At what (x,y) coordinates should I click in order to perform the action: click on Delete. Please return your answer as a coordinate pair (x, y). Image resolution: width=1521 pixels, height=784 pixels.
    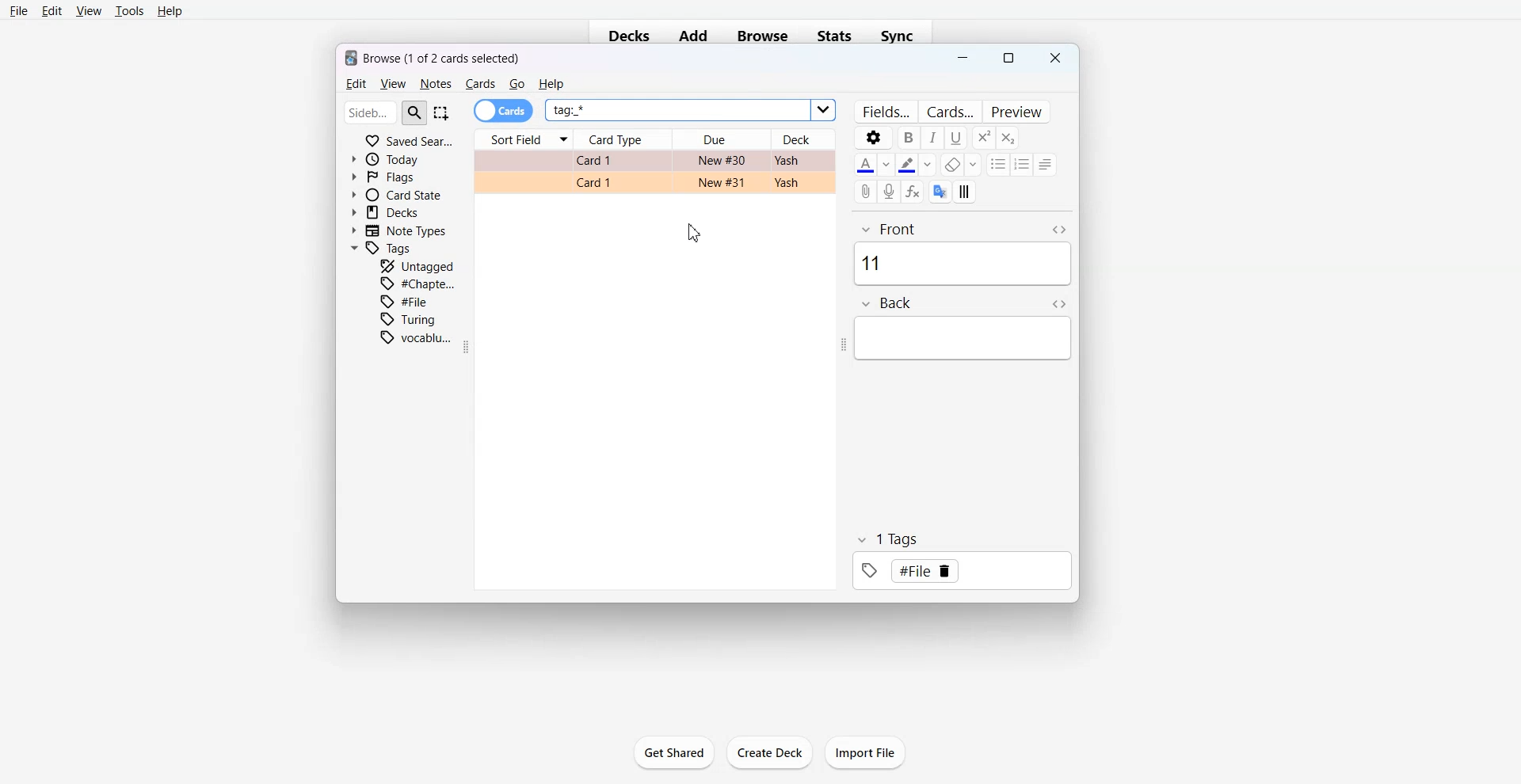
    Looking at the image, I should click on (946, 570).